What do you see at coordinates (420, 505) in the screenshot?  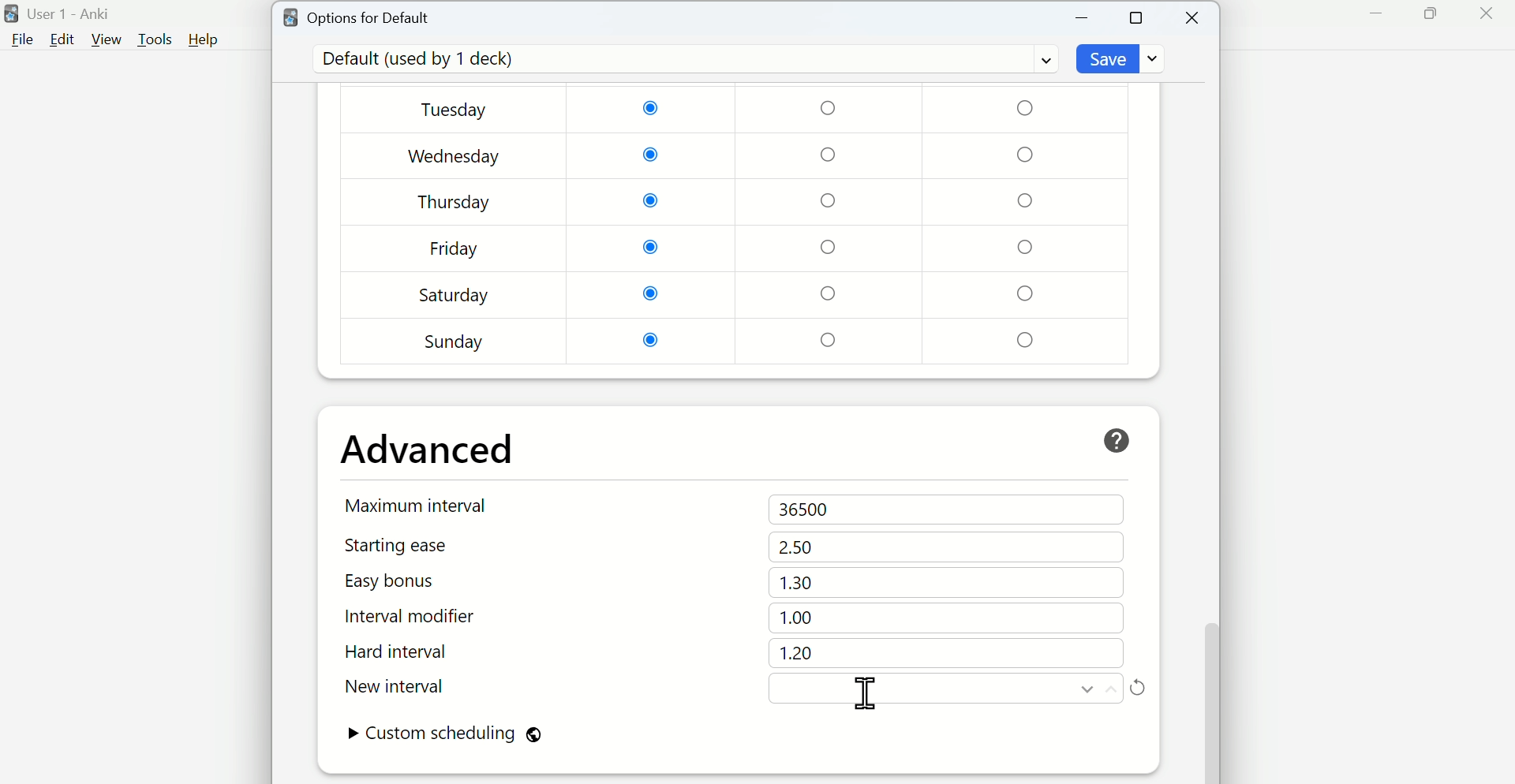 I see `Maximum interval` at bounding box center [420, 505].